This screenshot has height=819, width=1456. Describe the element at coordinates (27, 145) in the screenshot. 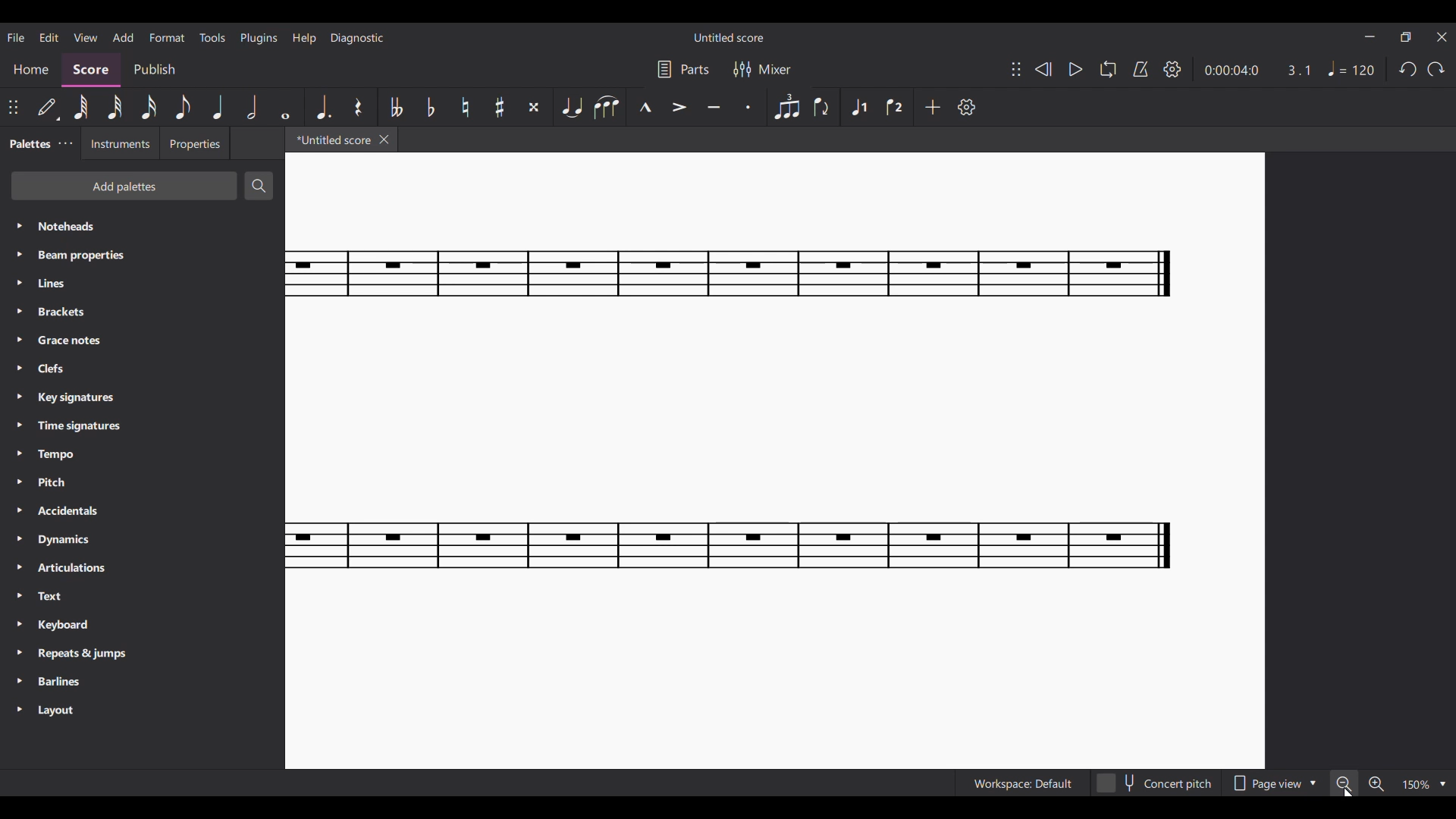

I see `Palettes` at that location.